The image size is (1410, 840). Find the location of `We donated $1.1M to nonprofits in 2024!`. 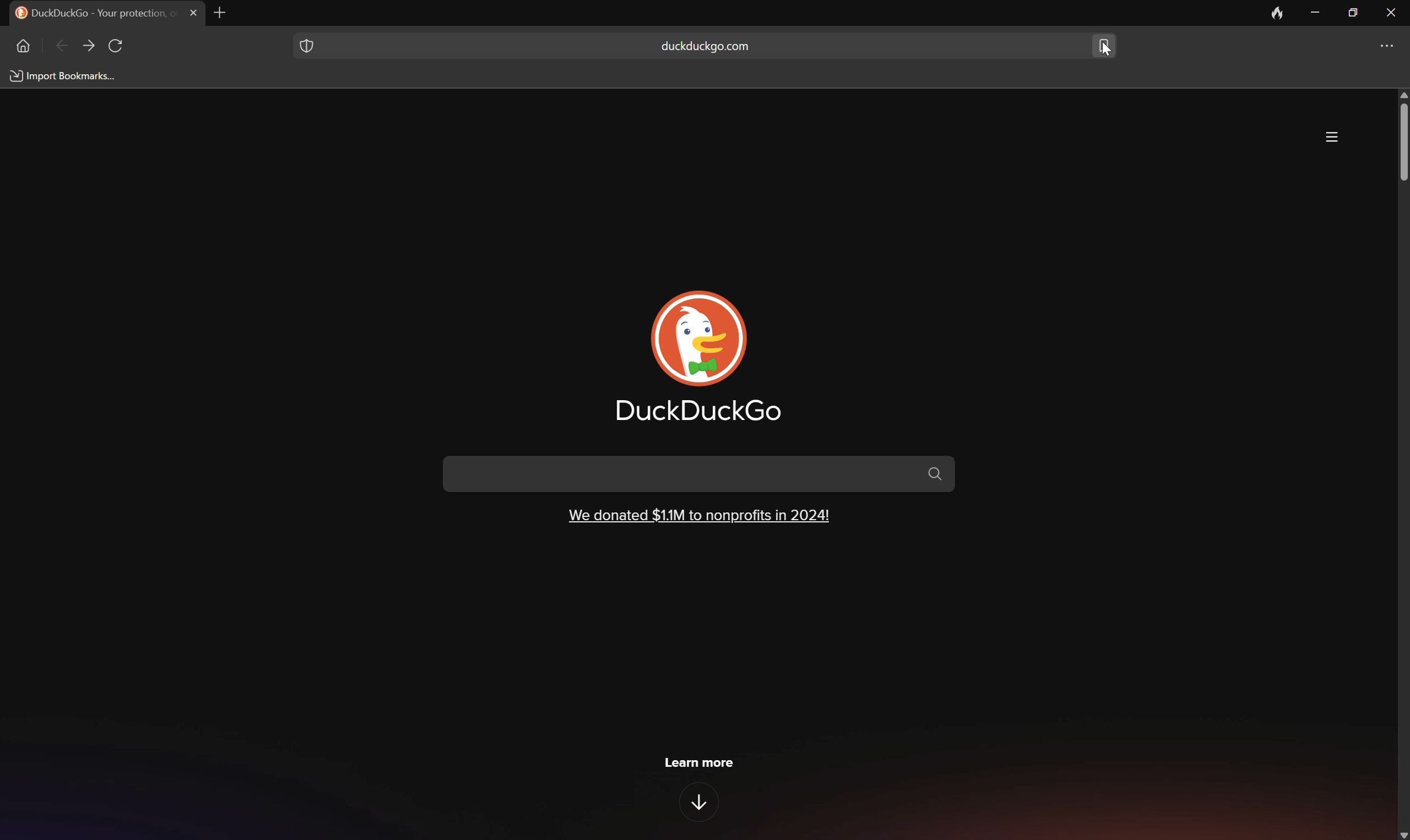

We donated $1.1M to nonprofits in 2024! is located at coordinates (699, 514).